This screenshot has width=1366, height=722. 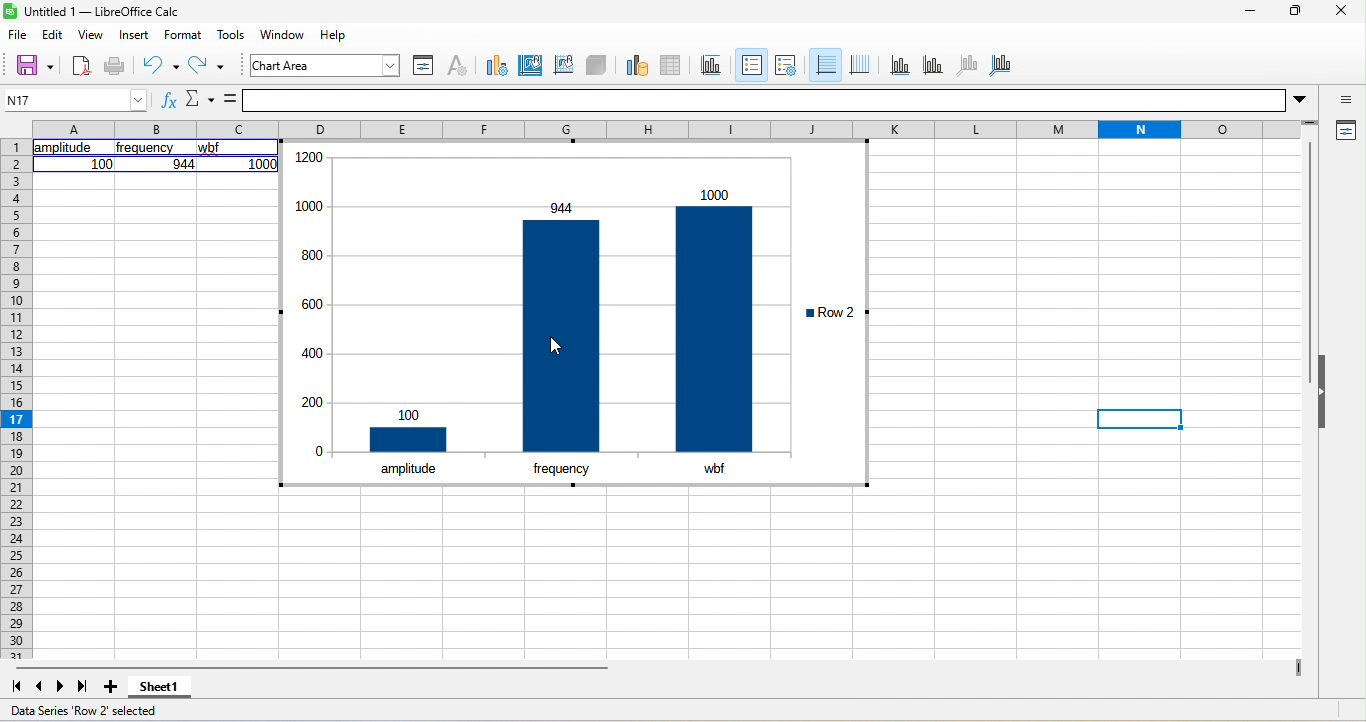 I want to click on title, so click(x=709, y=69).